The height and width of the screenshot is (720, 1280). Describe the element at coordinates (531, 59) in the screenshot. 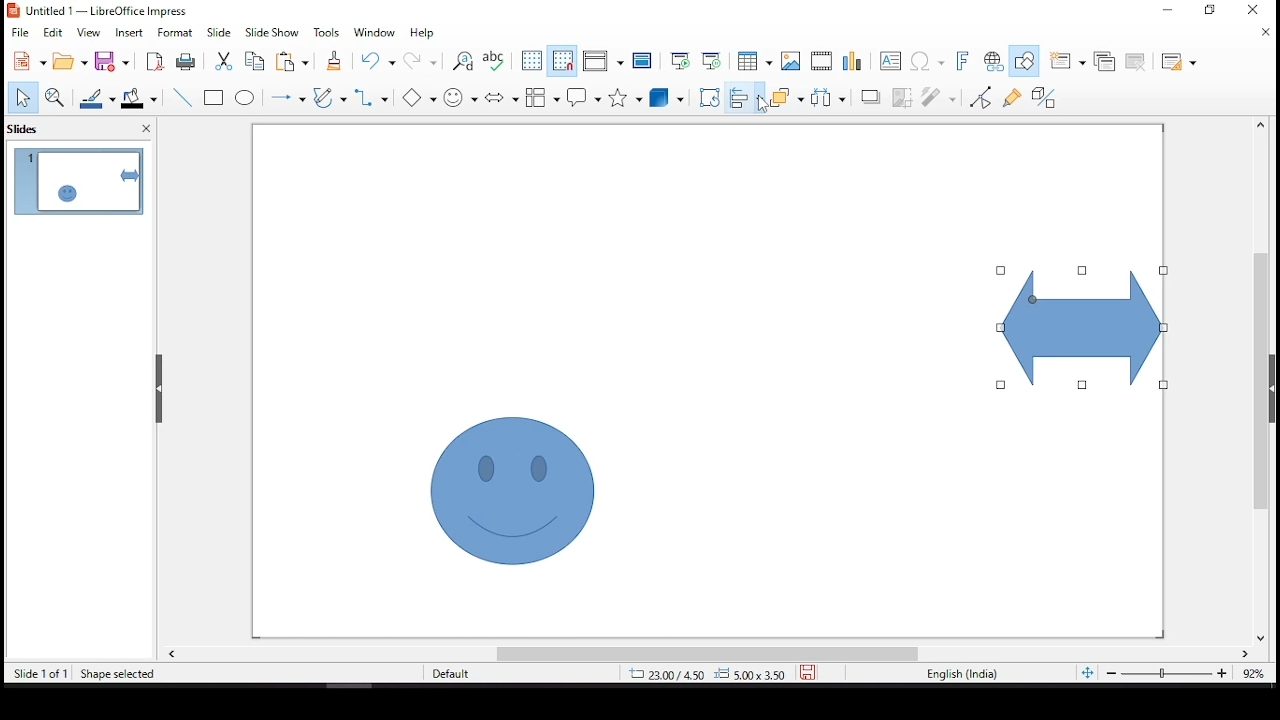

I see `display grid` at that location.